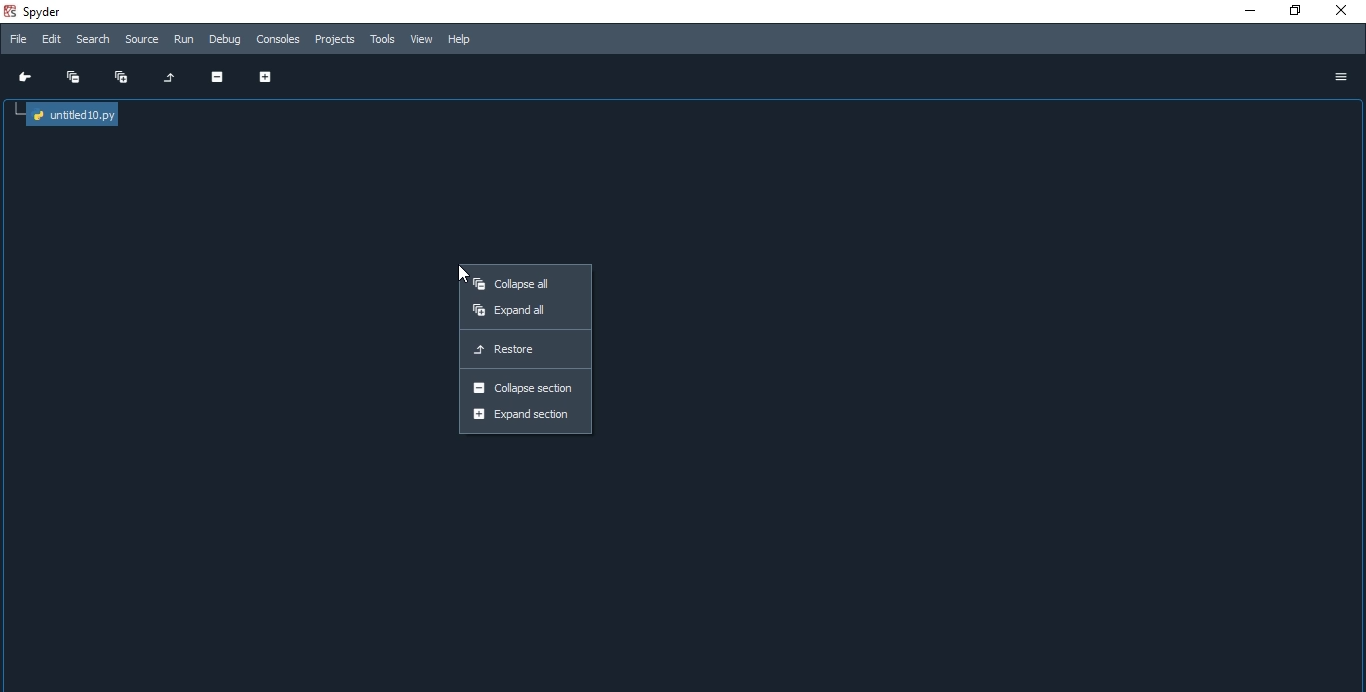 This screenshot has height=692, width=1366. I want to click on Expand all, so click(521, 312).